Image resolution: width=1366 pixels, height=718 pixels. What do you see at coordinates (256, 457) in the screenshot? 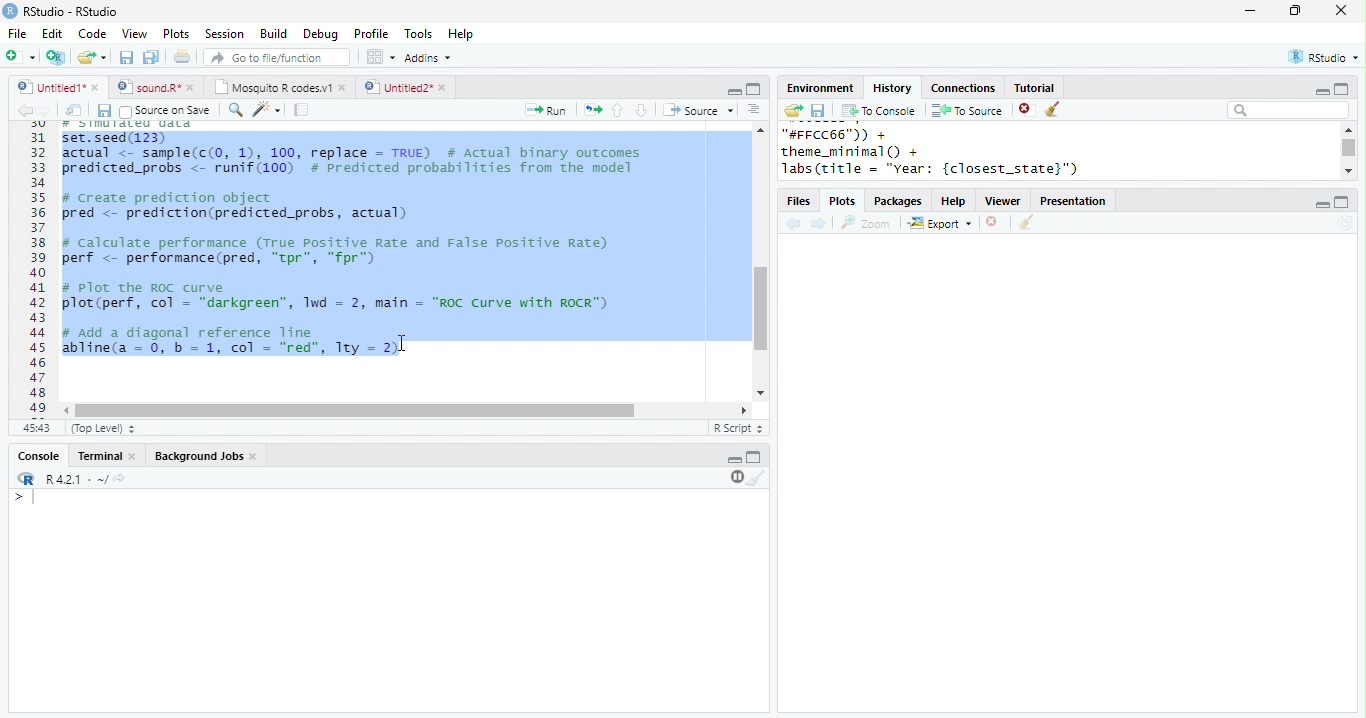
I see `close` at bounding box center [256, 457].